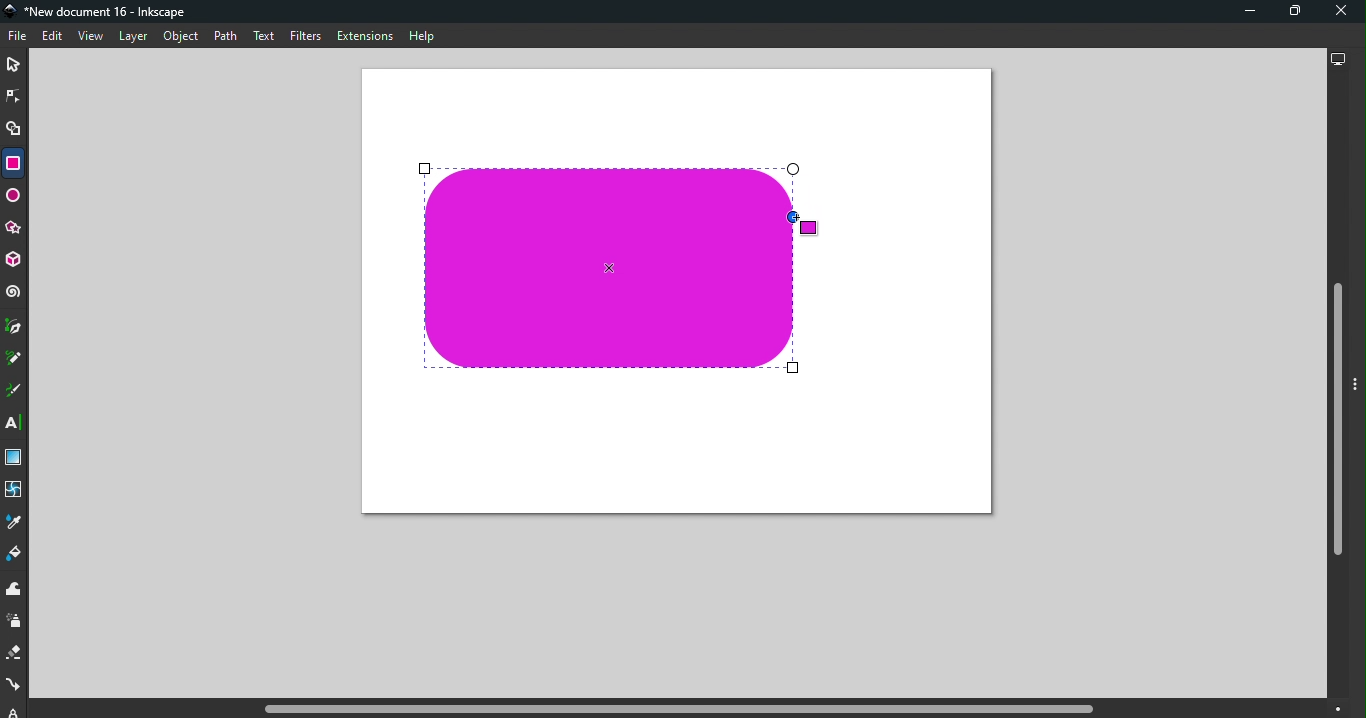 Image resolution: width=1366 pixels, height=718 pixels. What do you see at coordinates (51, 37) in the screenshot?
I see `Edit` at bounding box center [51, 37].